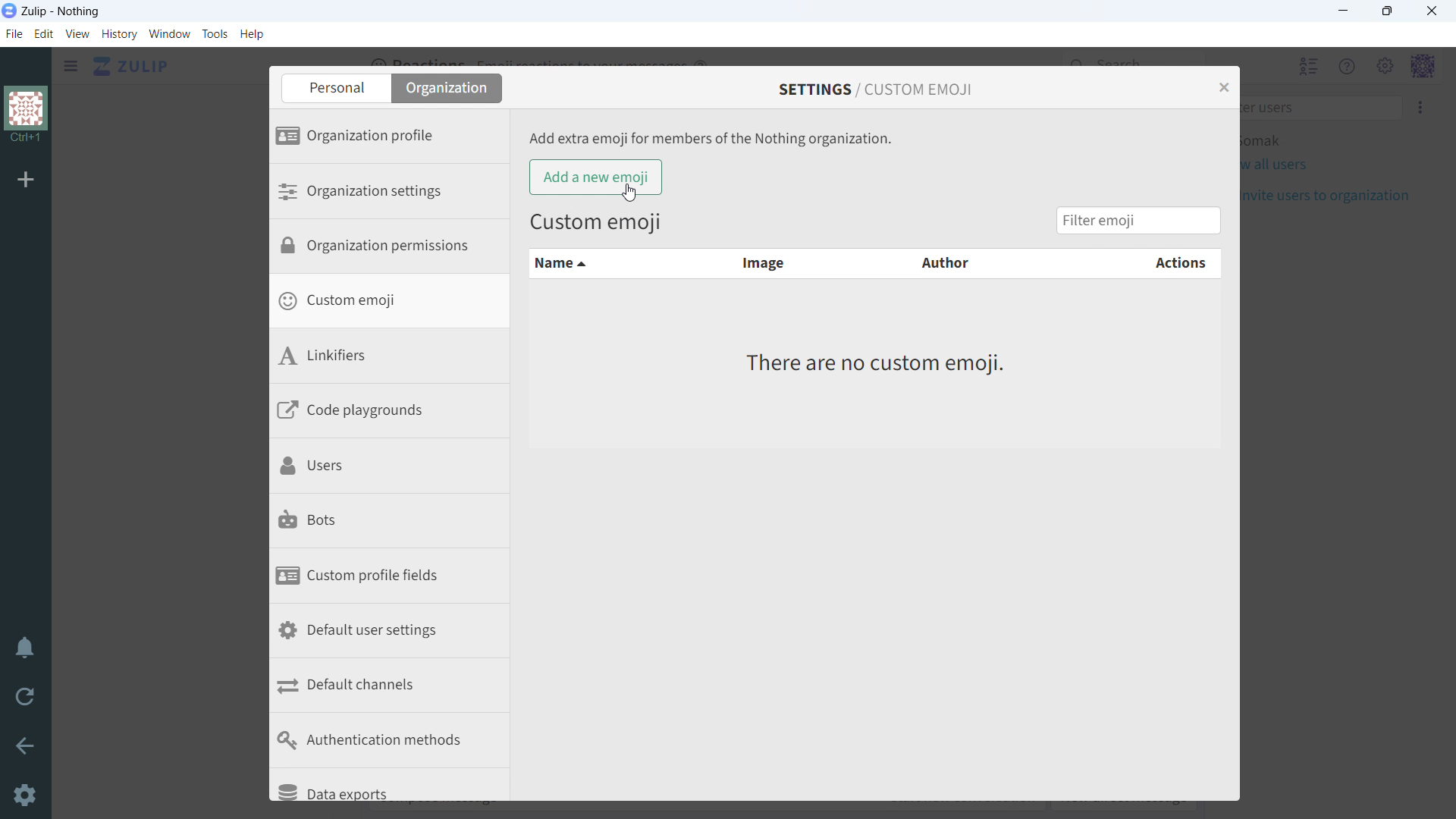 The image size is (1456, 819). I want to click on close, so click(1431, 11).